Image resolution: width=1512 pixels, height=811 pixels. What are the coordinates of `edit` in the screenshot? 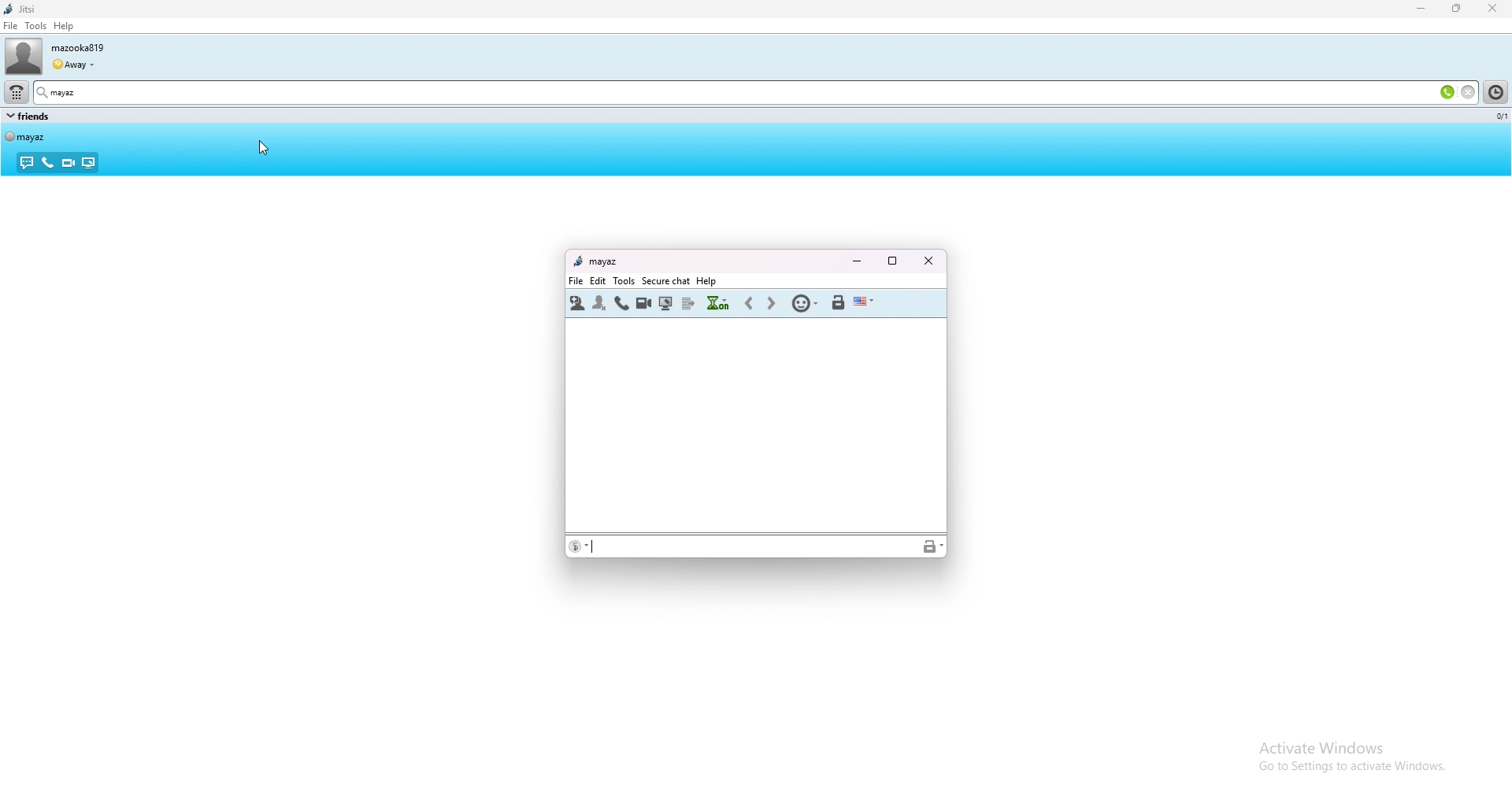 It's located at (600, 281).